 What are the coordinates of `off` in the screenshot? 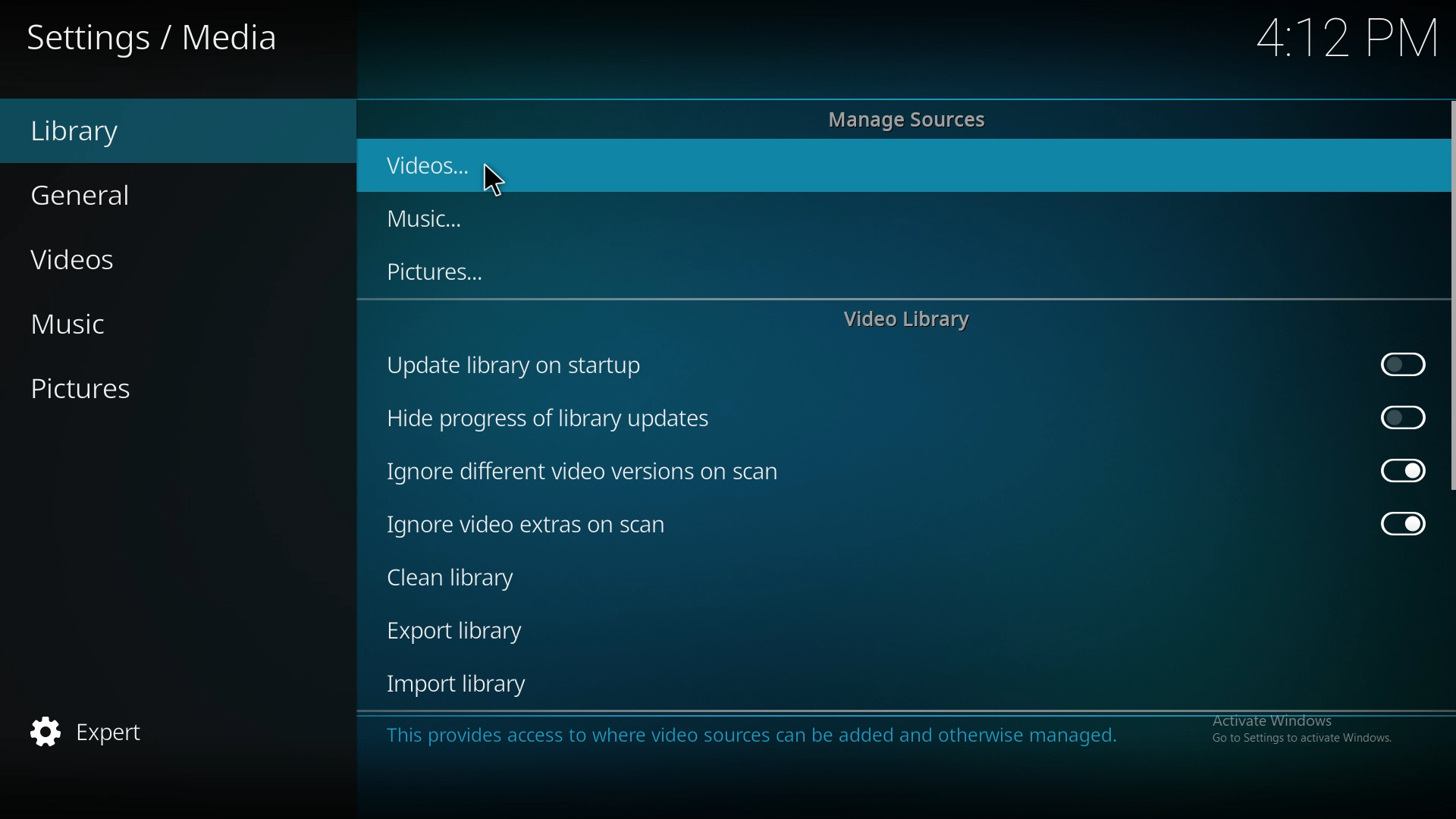 It's located at (1401, 472).